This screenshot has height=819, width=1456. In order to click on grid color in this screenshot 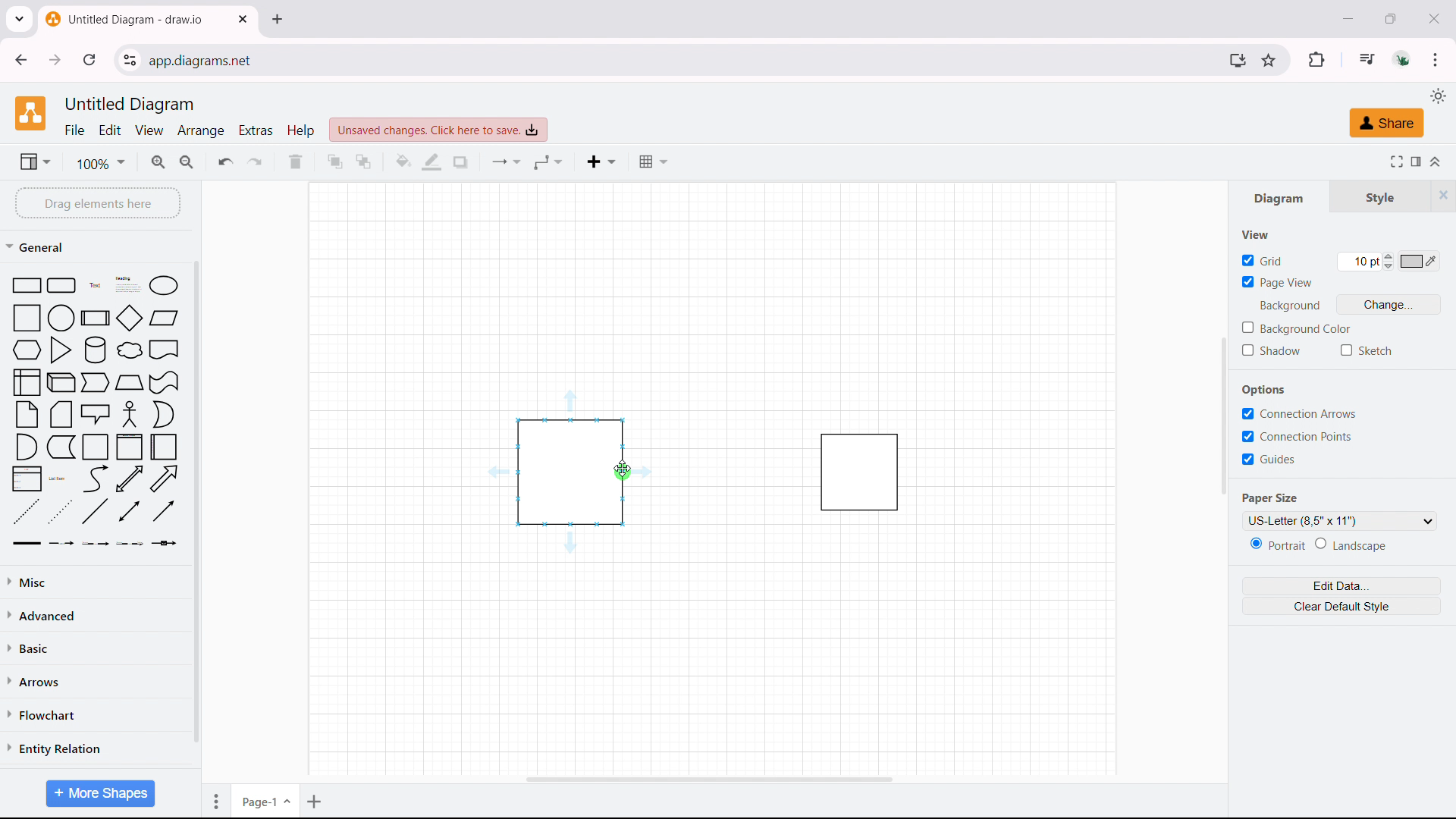, I will do `click(1420, 261)`.